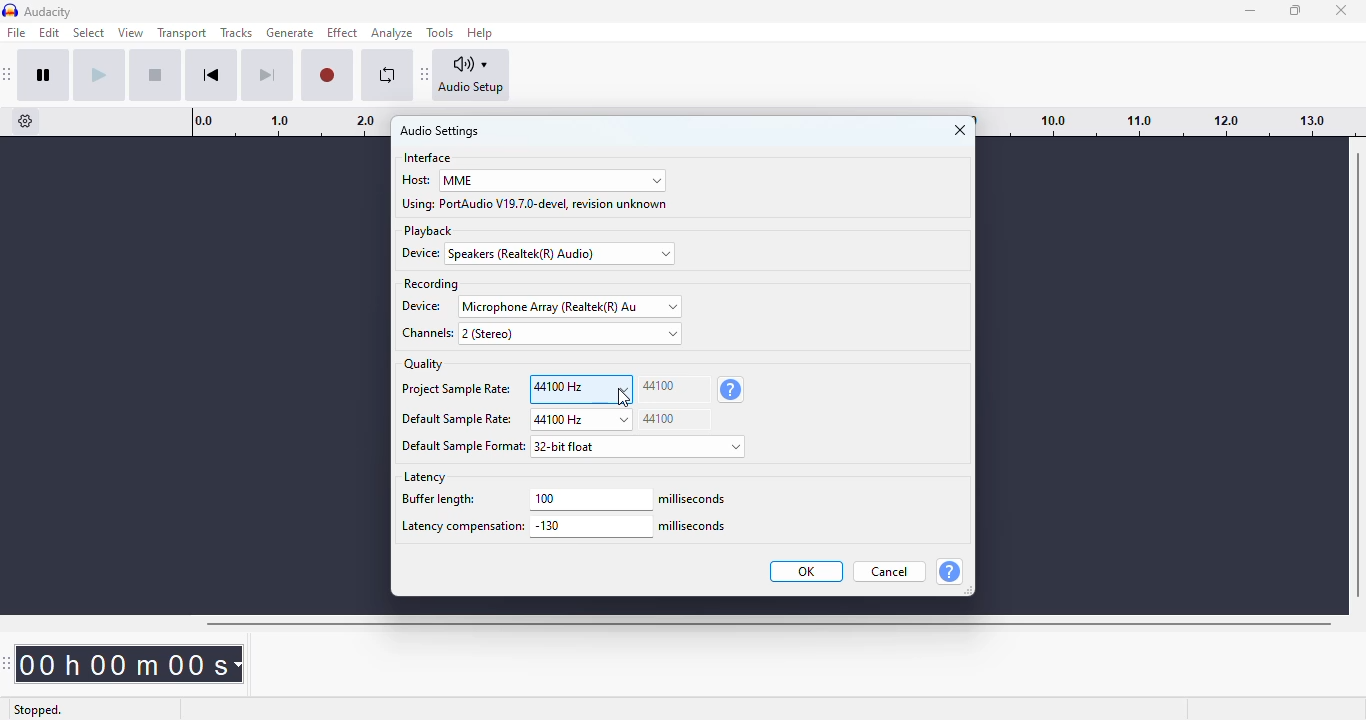  Describe the element at coordinates (562, 254) in the screenshot. I see `select device` at that location.